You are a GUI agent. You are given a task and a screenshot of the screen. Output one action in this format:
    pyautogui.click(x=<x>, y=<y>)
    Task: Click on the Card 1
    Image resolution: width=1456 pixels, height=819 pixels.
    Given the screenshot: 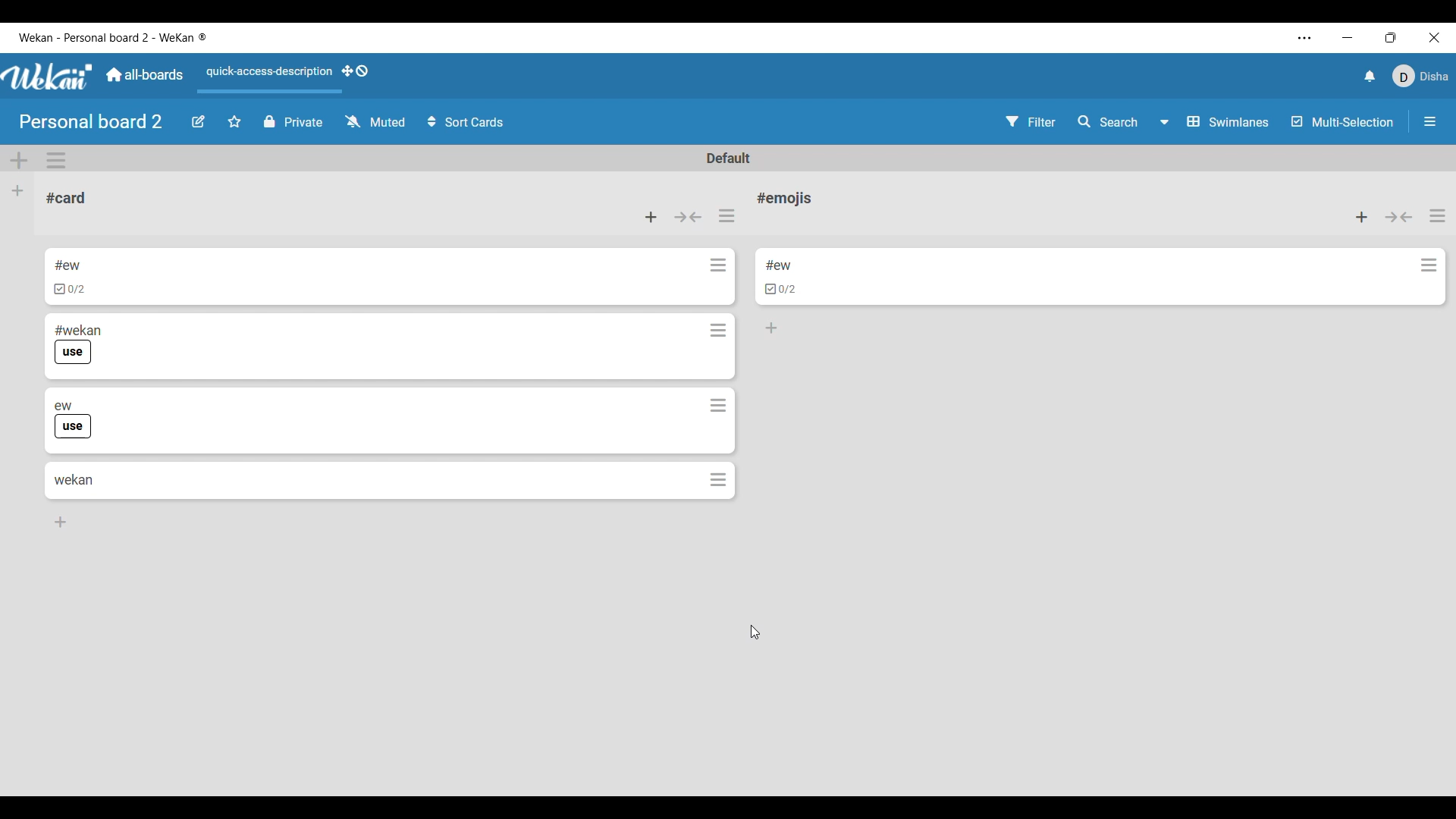 What is the action you would take?
    pyautogui.click(x=118, y=263)
    